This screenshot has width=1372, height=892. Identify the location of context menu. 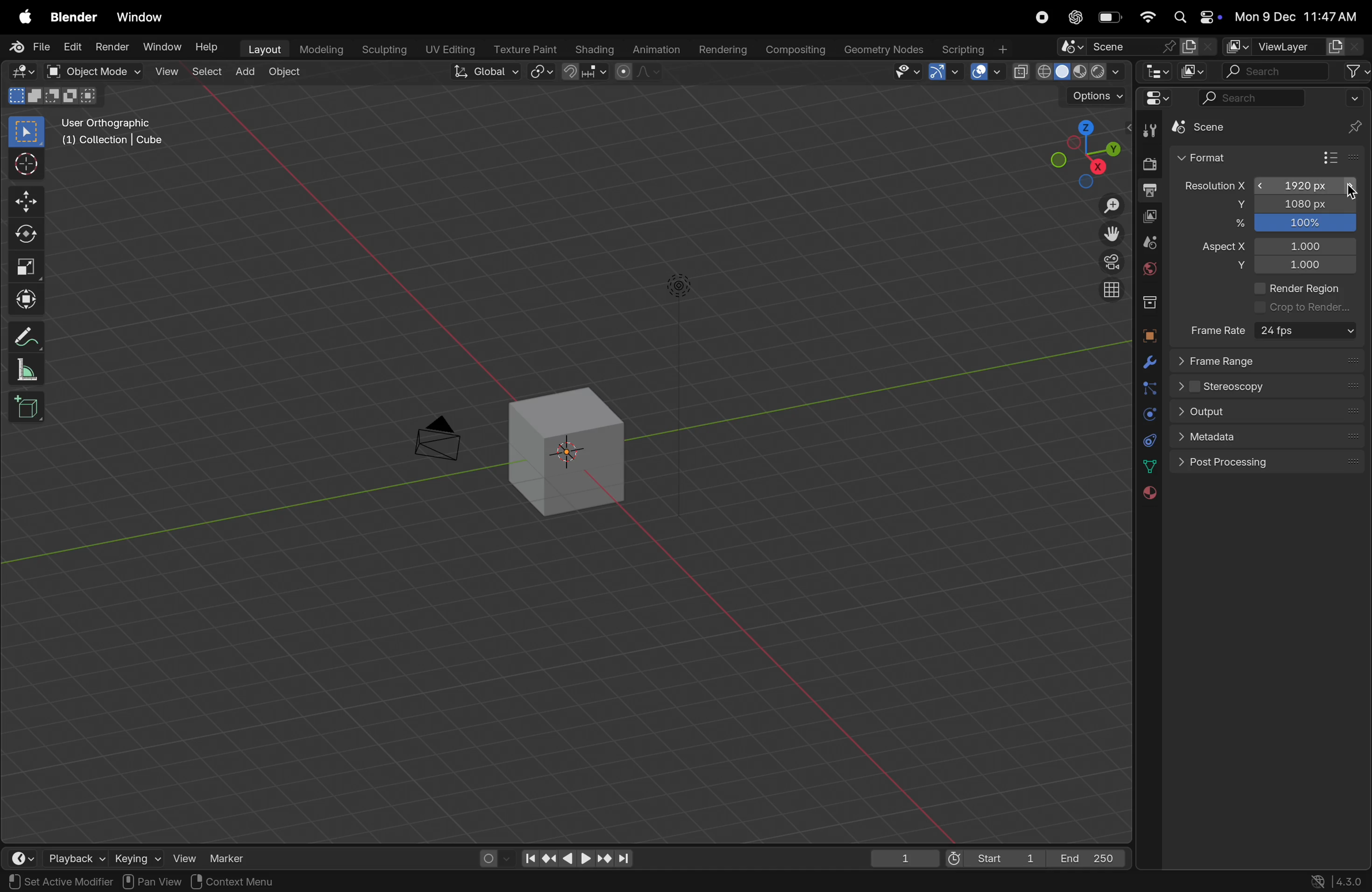
(231, 880).